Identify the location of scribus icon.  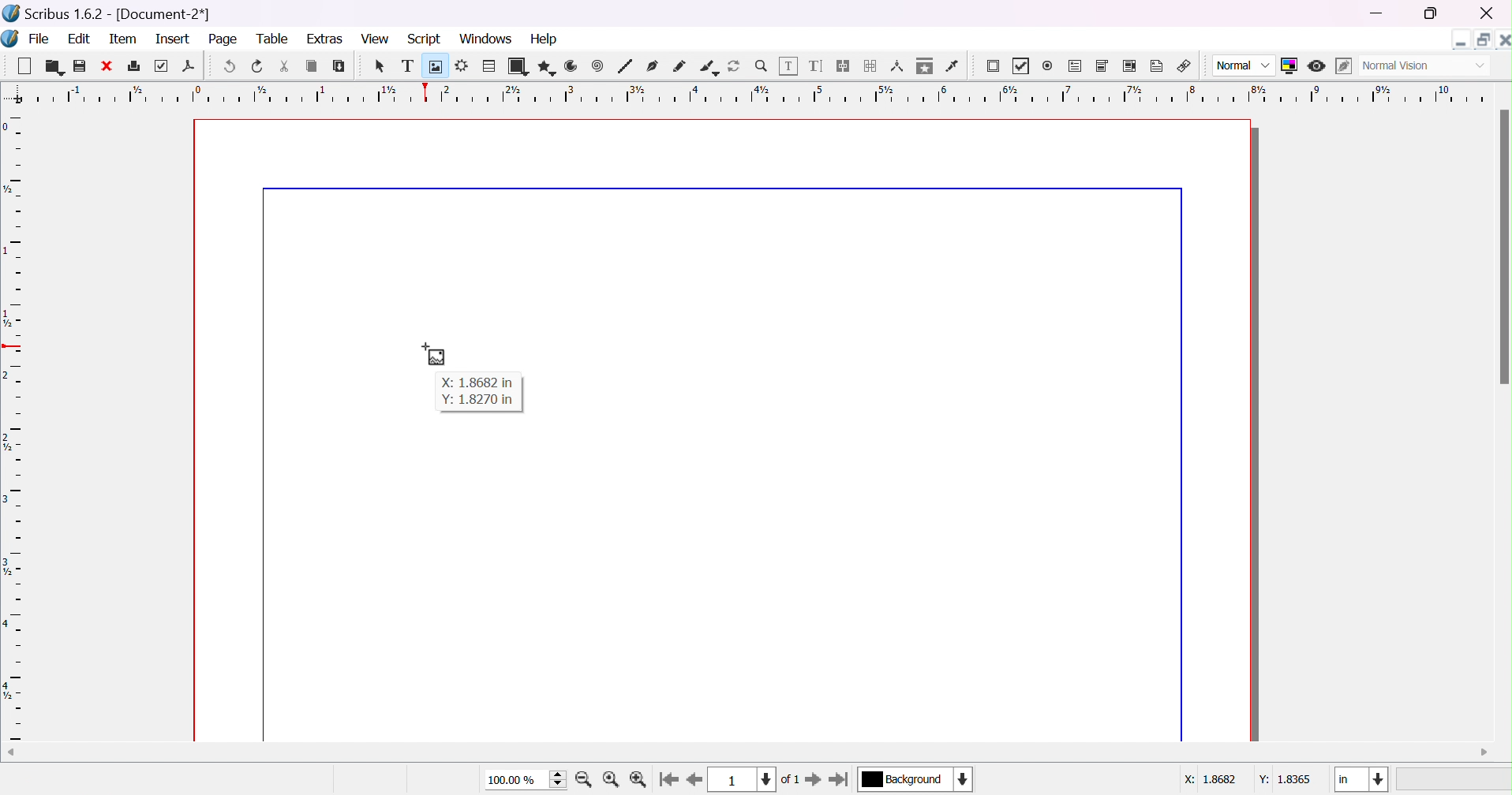
(10, 38).